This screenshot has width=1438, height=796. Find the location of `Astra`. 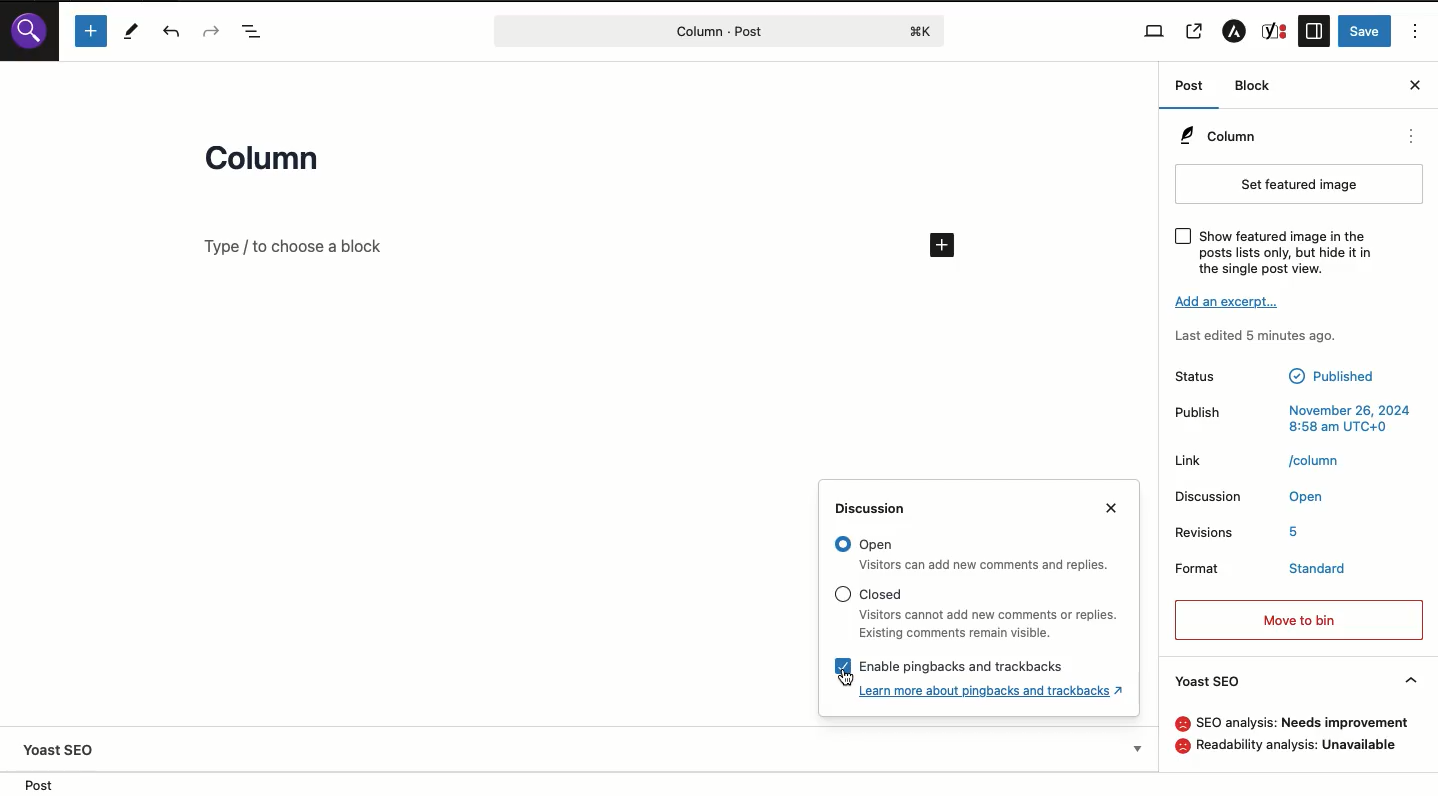

Astra is located at coordinates (1237, 31).